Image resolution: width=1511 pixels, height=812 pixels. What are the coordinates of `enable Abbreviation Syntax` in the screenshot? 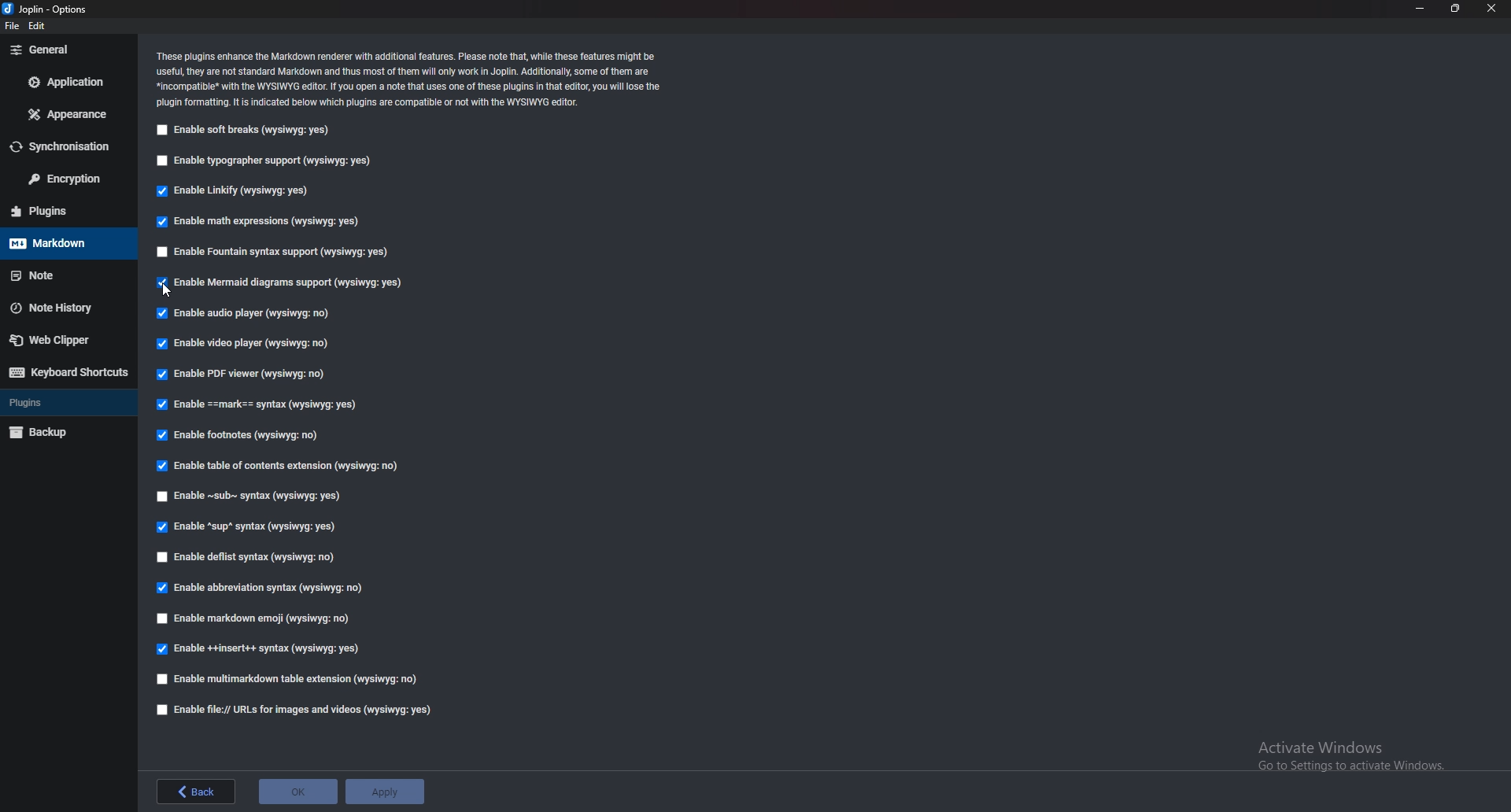 It's located at (263, 589).